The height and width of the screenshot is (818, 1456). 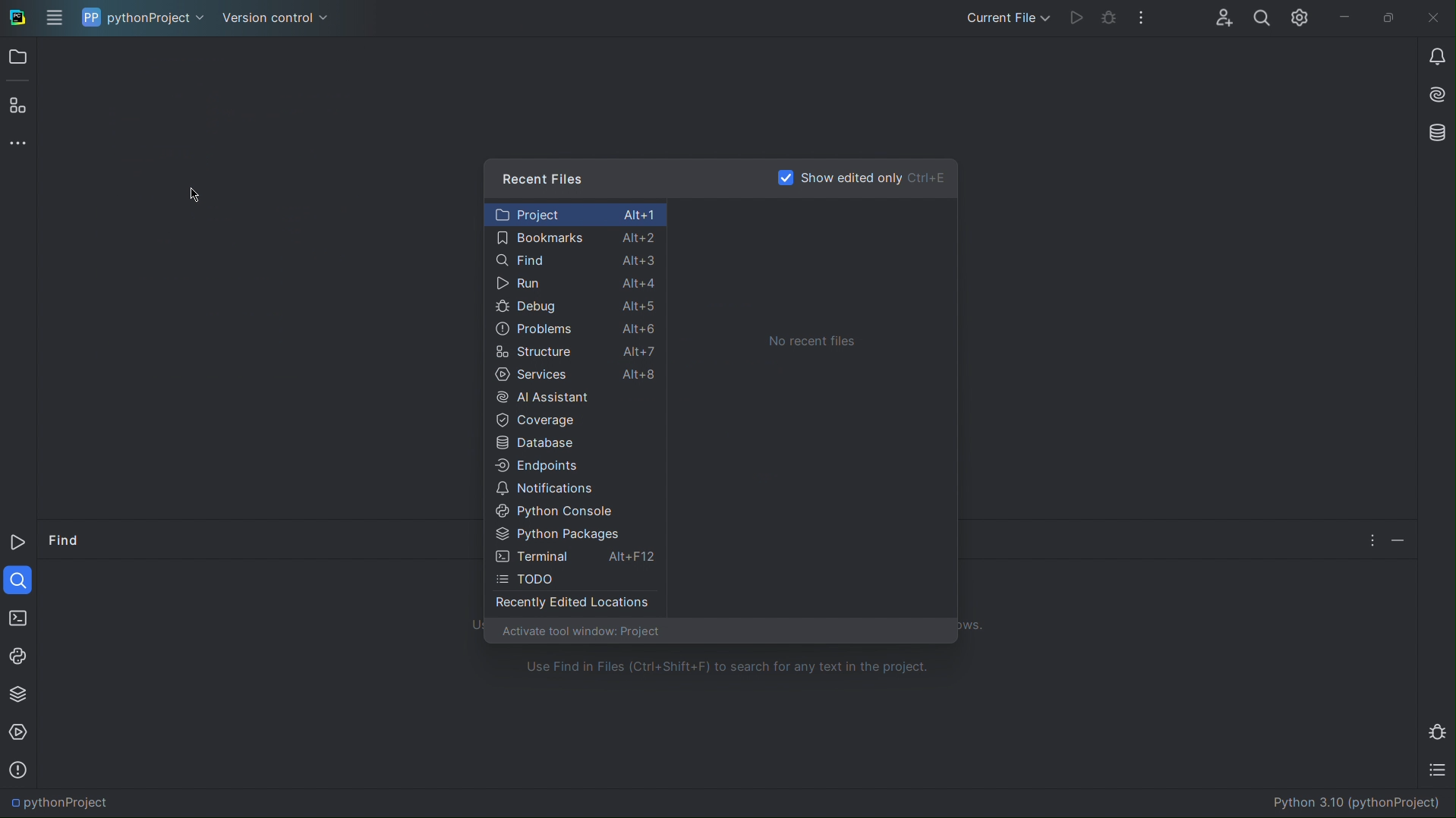 What do you see at coordinates (574, 285) in the screenshot?
I see `Run` at bounding box center [574, 285].